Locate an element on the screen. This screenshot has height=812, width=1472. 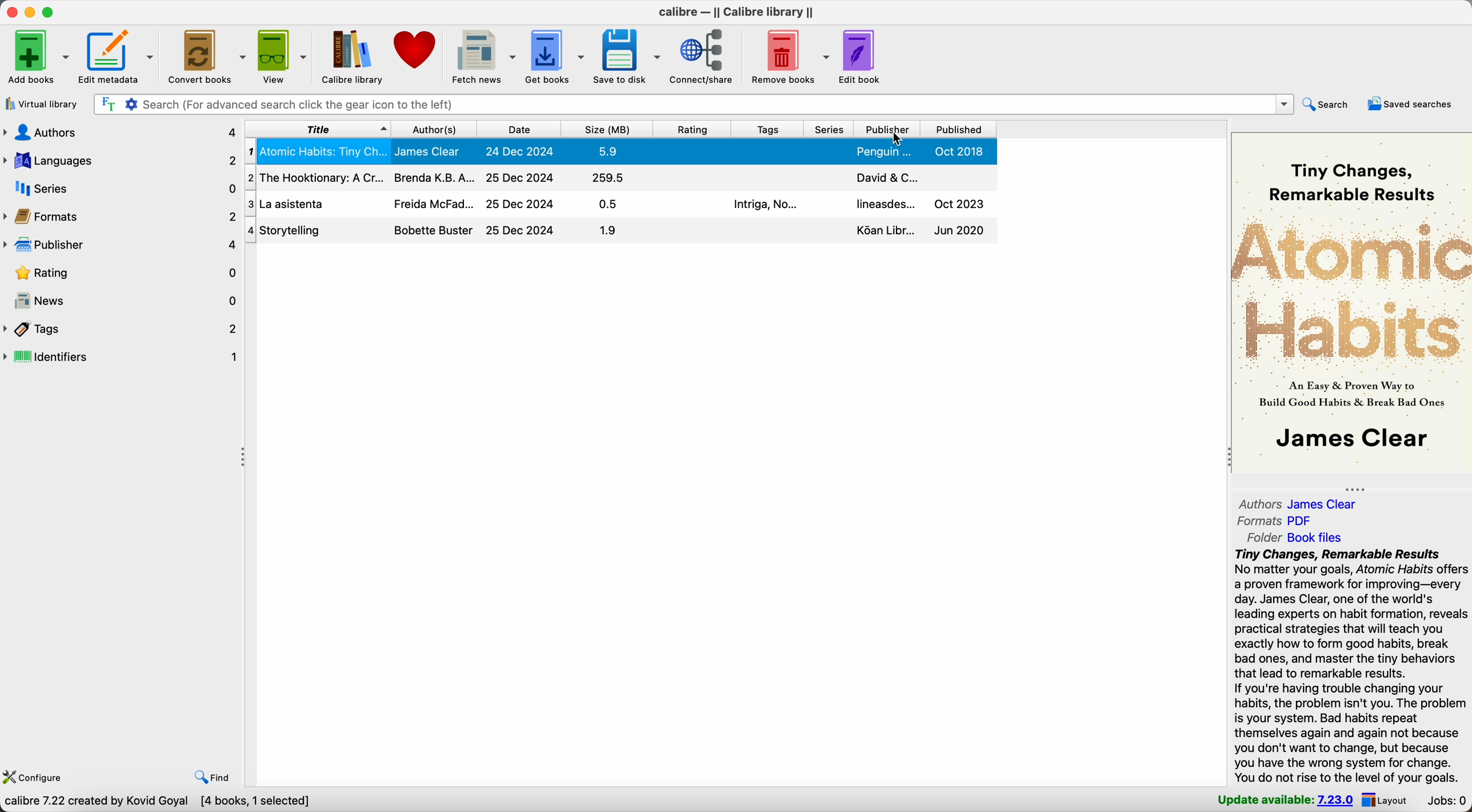
close Calibre is located at coordinates (10, 12).